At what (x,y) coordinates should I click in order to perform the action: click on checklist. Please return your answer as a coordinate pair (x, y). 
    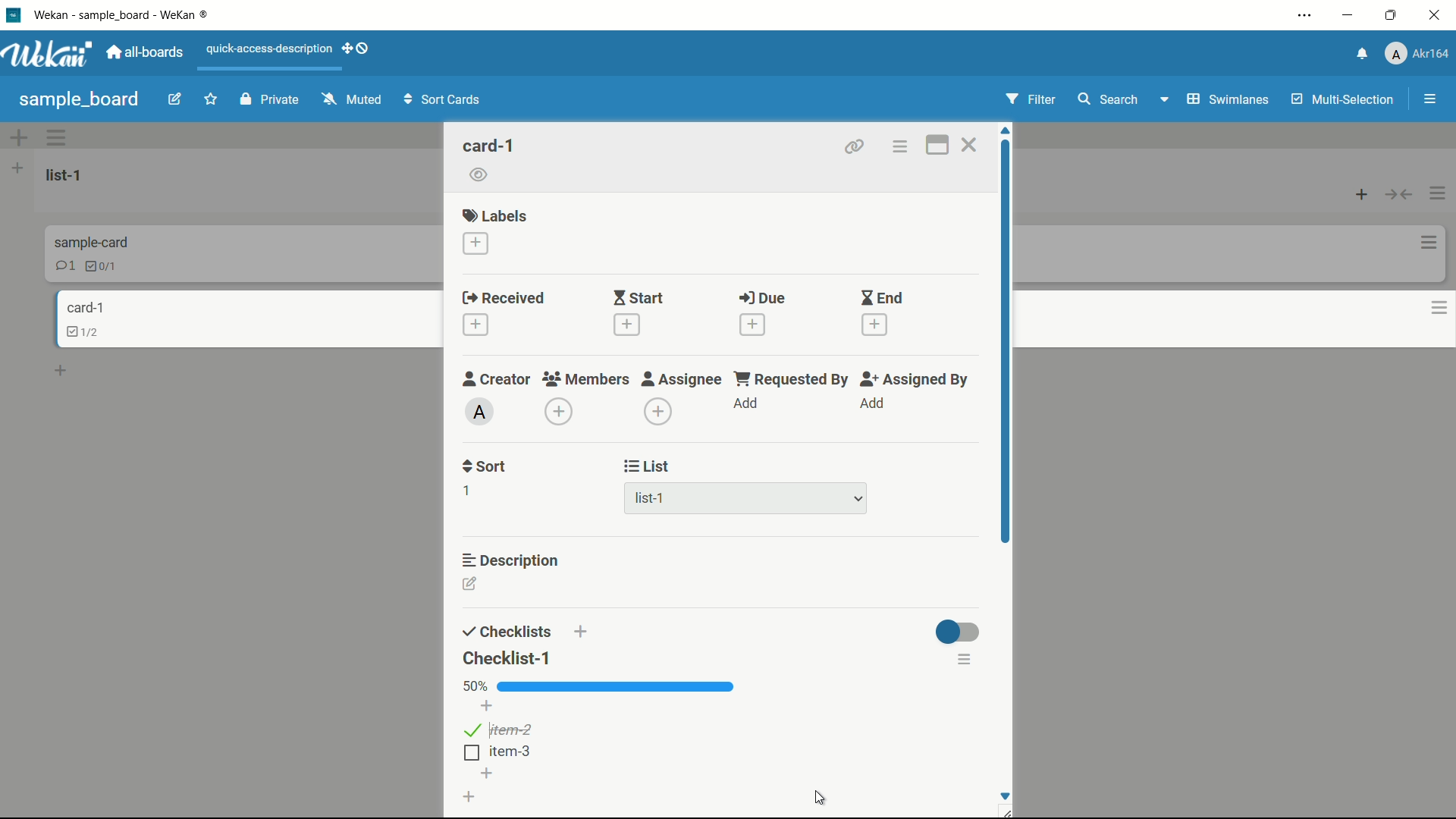
    Looking at the image, I should click on (104, 268).